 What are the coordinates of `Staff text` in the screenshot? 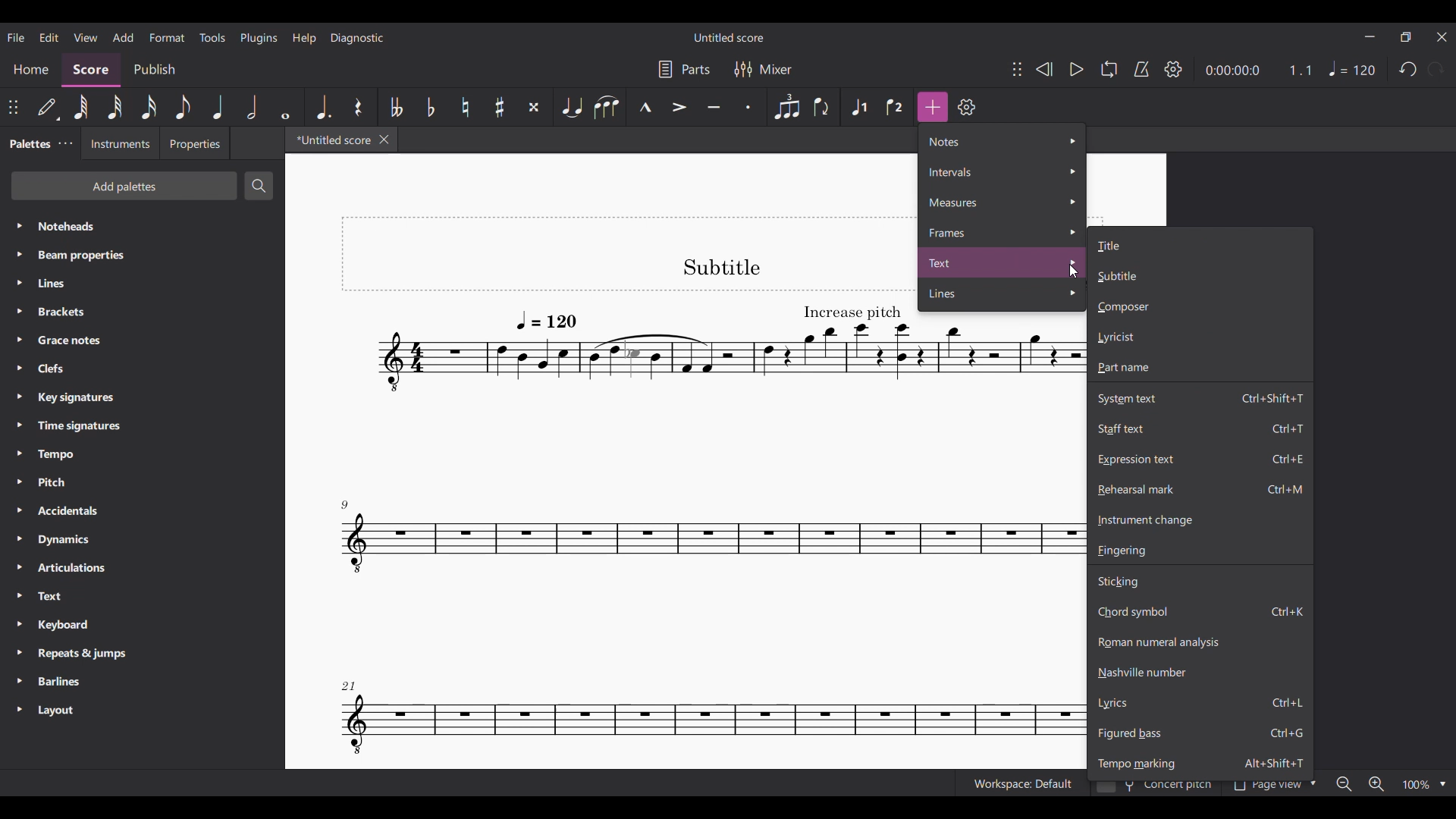 It's located at (1200, 428).